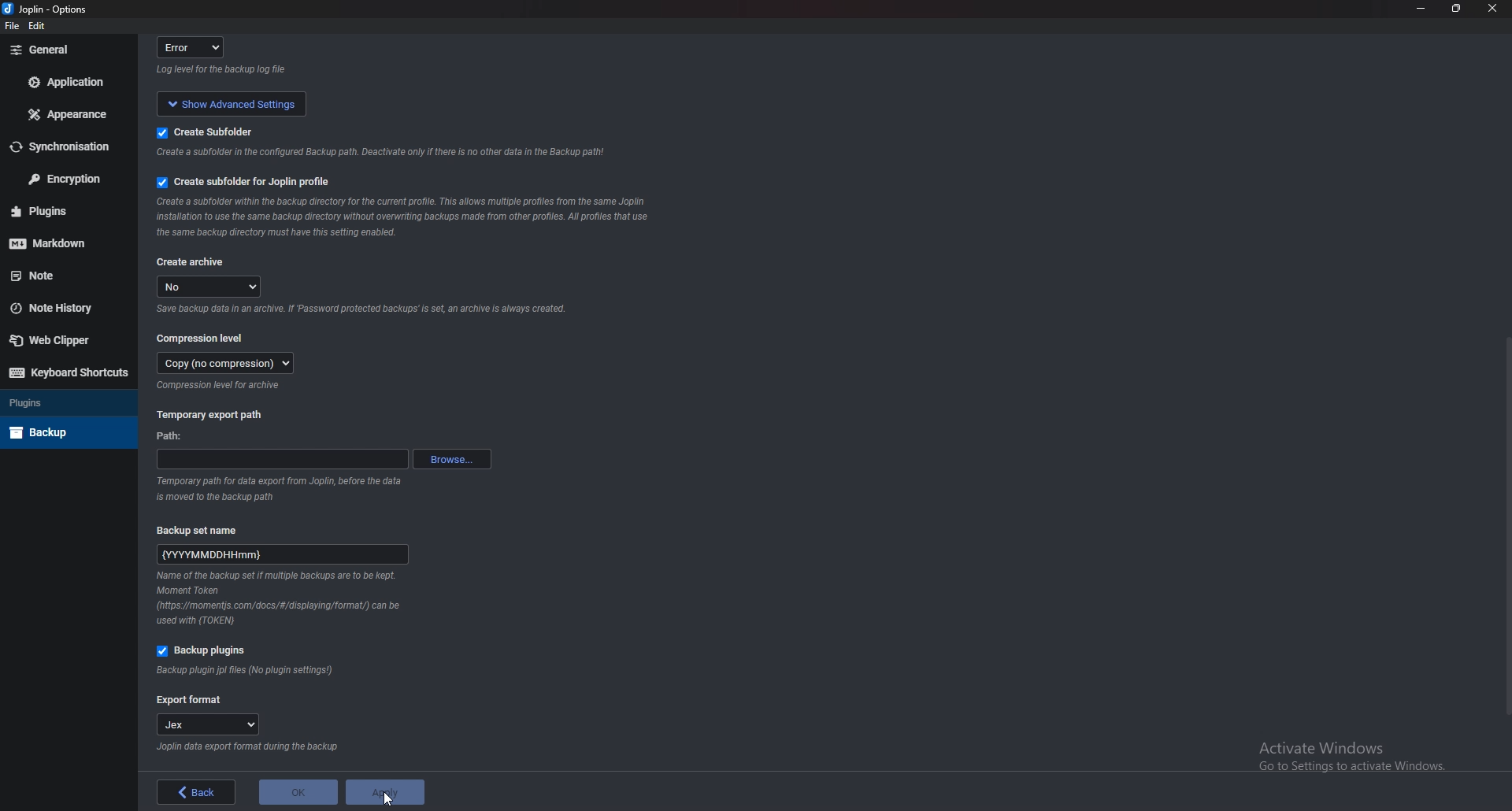  Describe the element at coordinates (284, 487) in the screenshot. I see `info` at that location.